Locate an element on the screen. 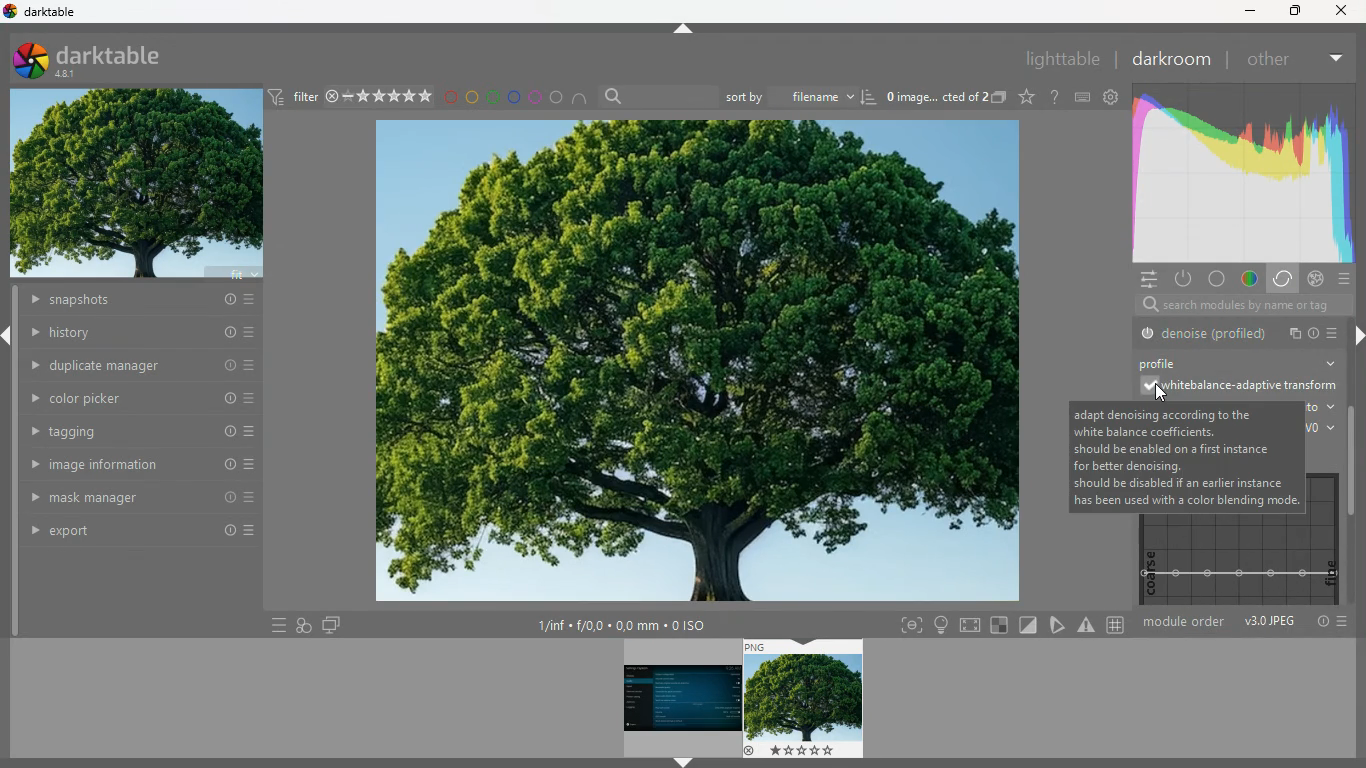 This screenshot has height=768, width=1366. hashtag is located at coordinates (1116, 623).